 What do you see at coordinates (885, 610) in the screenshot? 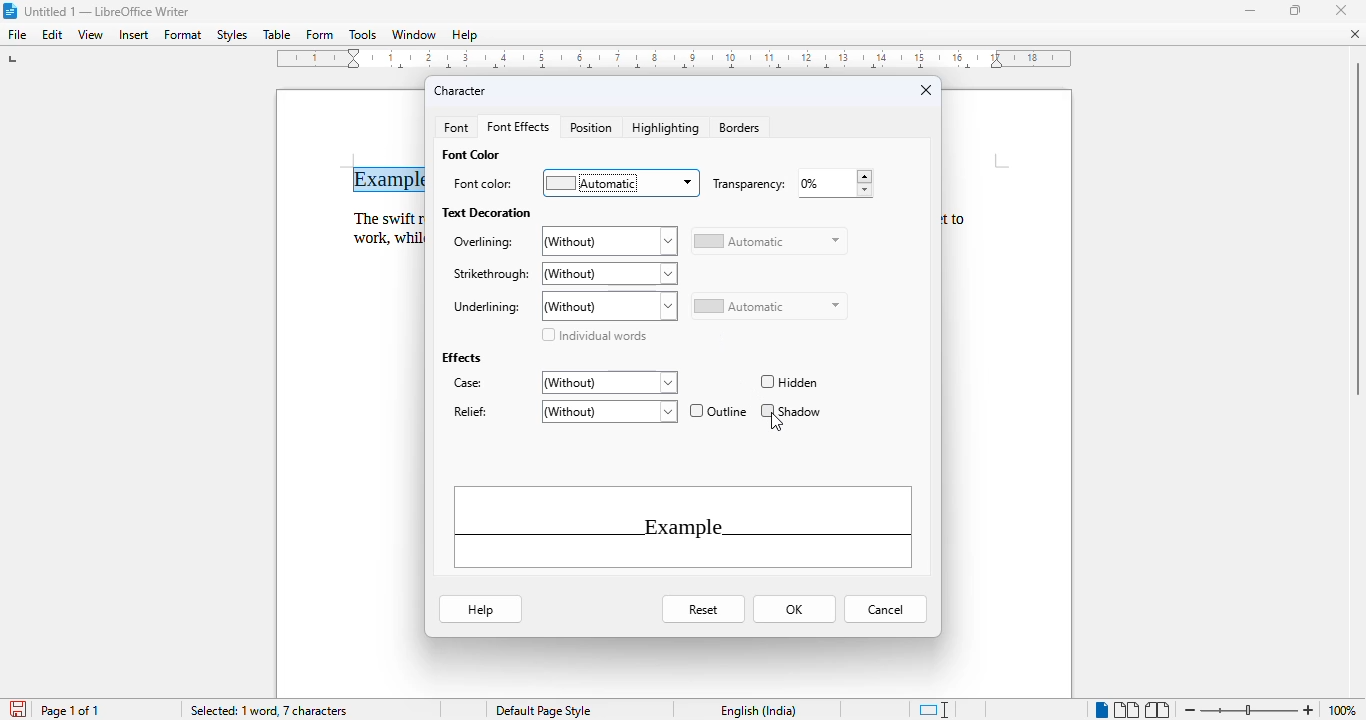
I see `cancel` at bounding box center [885, 610].